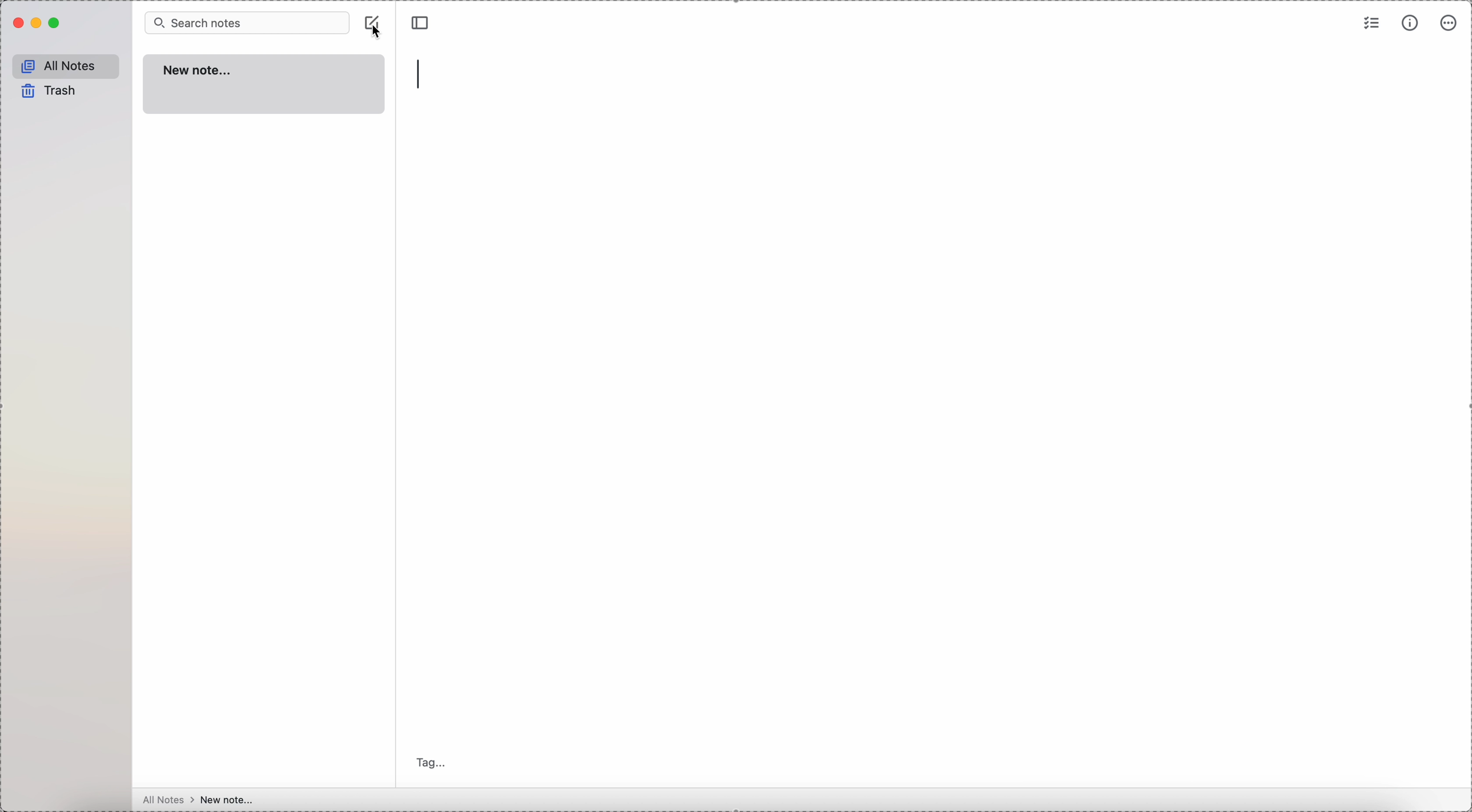 This screenshot has width=1472, height=812. What do you see at coordinates (1370, 25) in the screenshot?
I see `check list` at bounding box center [1370, 25].